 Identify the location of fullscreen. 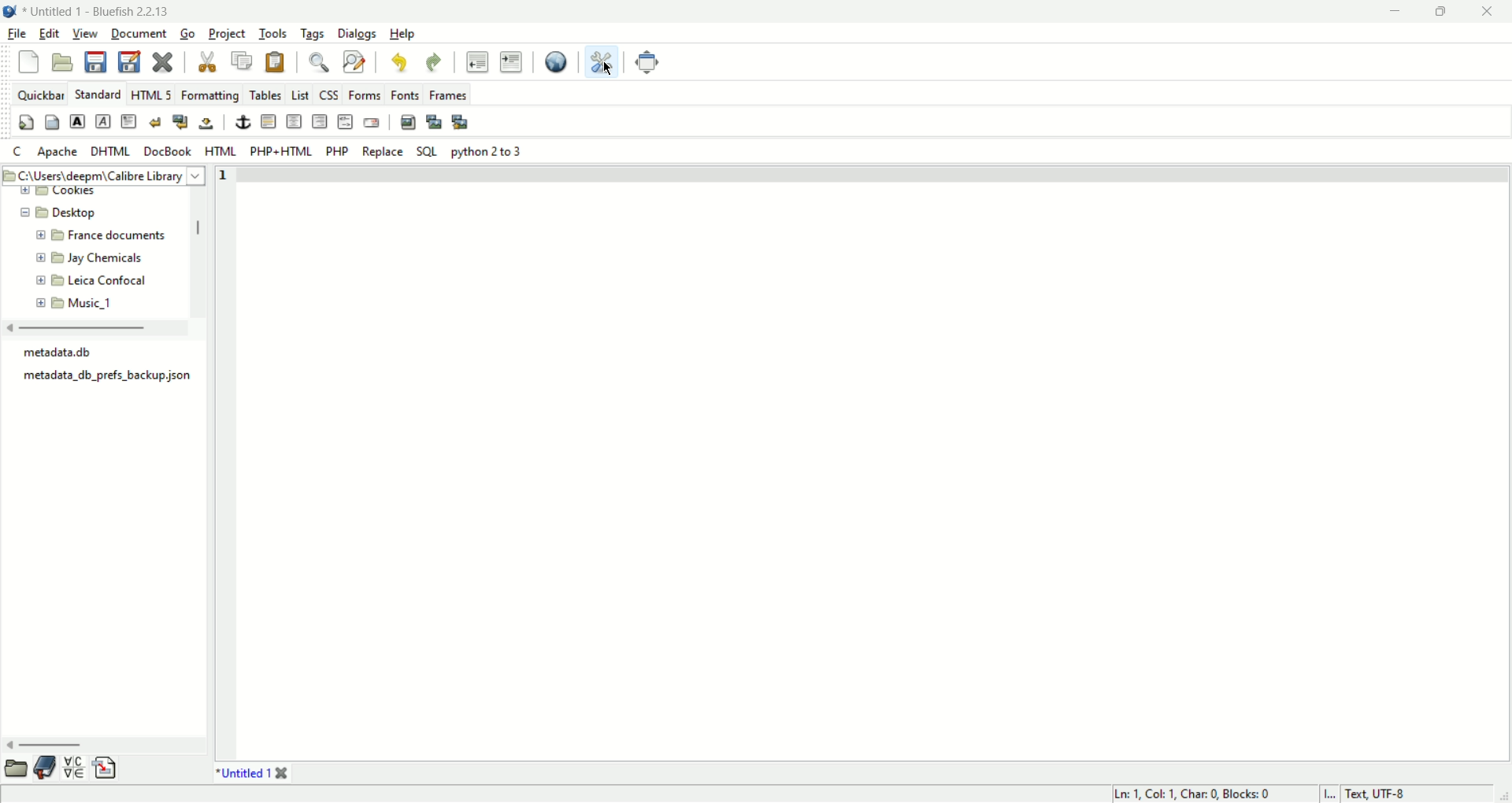
(646, 62).